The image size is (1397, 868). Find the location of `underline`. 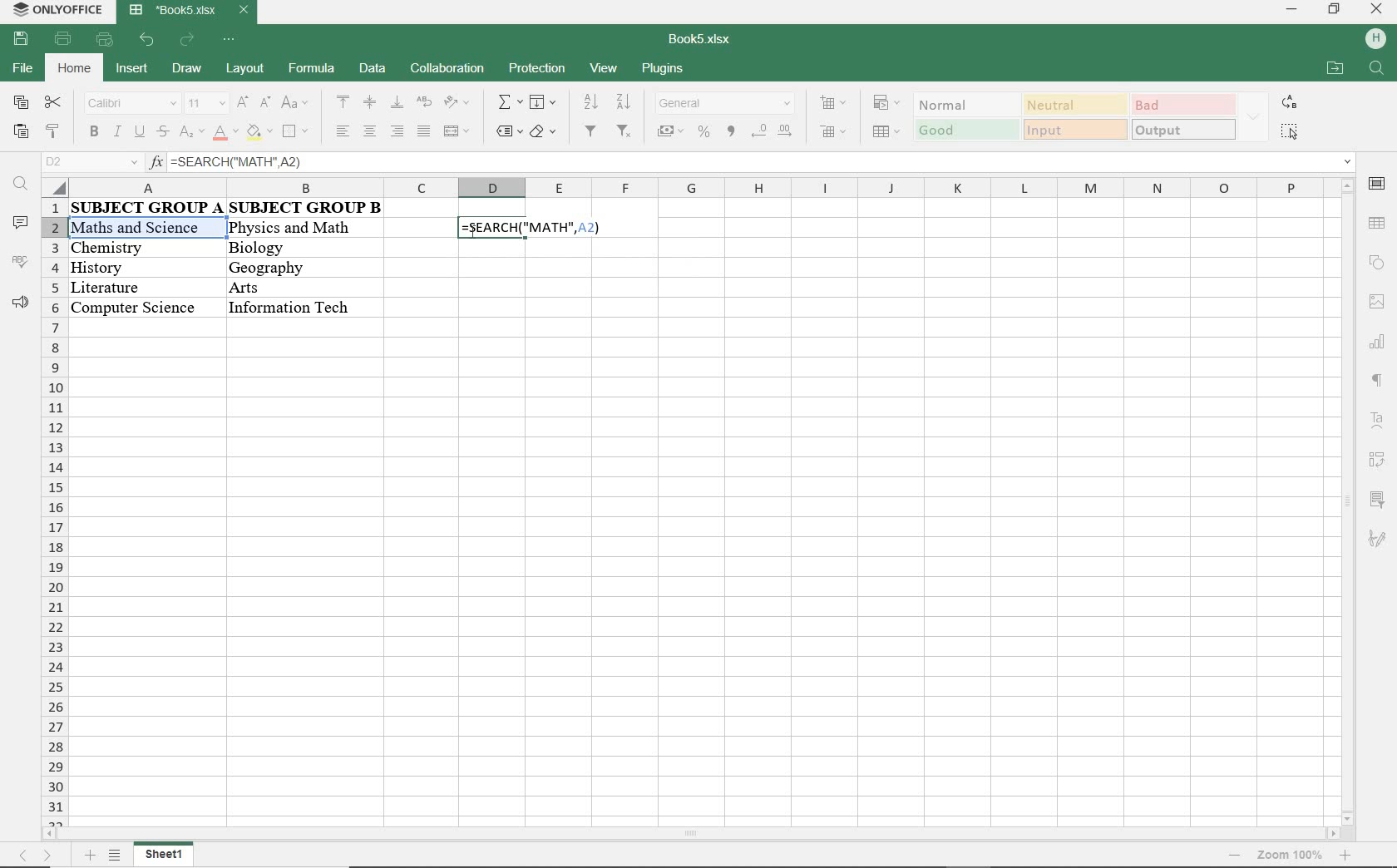

underline is located at coordinates (138, 134).